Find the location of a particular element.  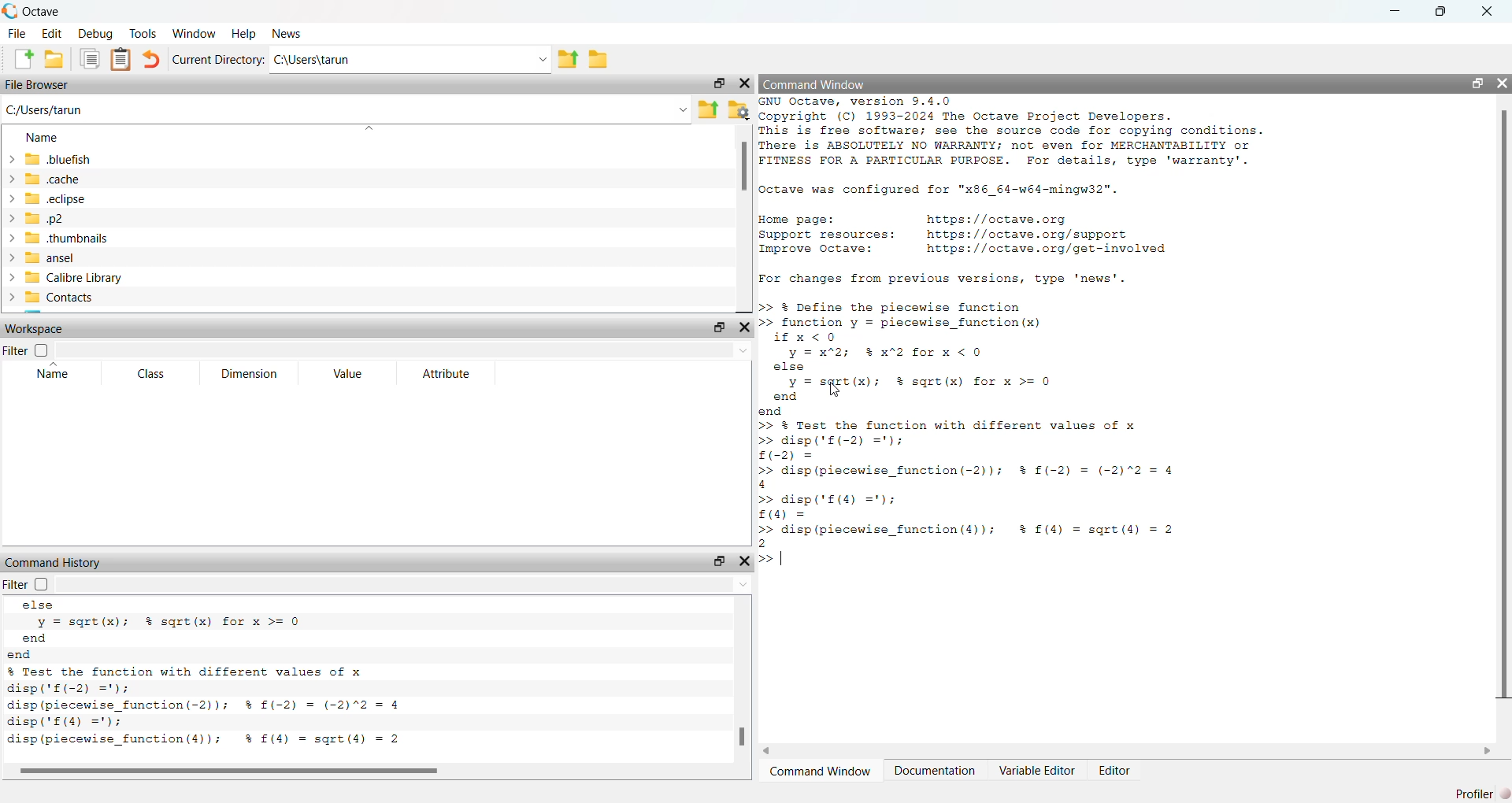

Name is located at coordinates (57, 373).